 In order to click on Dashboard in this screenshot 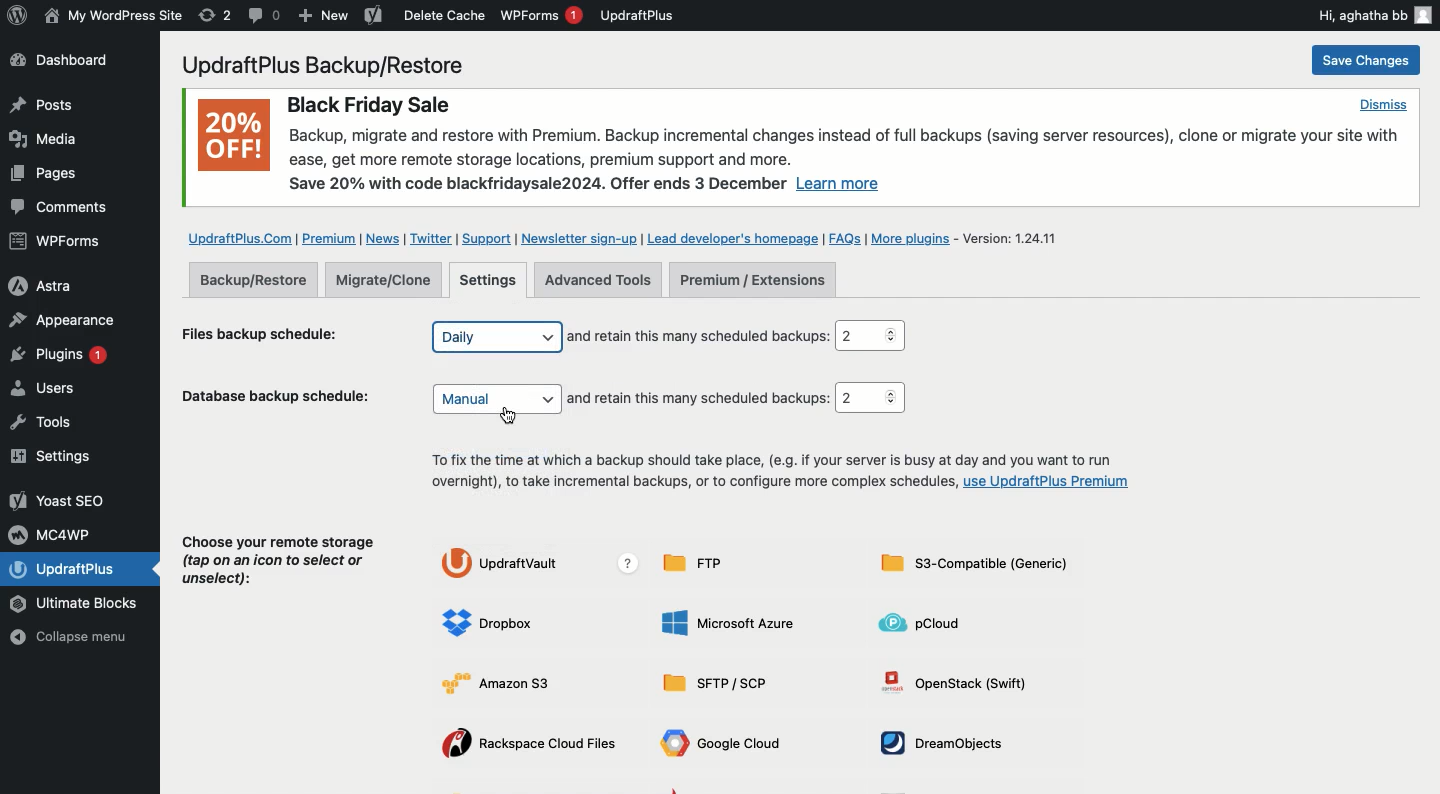, I will do `click(72, 62)`.